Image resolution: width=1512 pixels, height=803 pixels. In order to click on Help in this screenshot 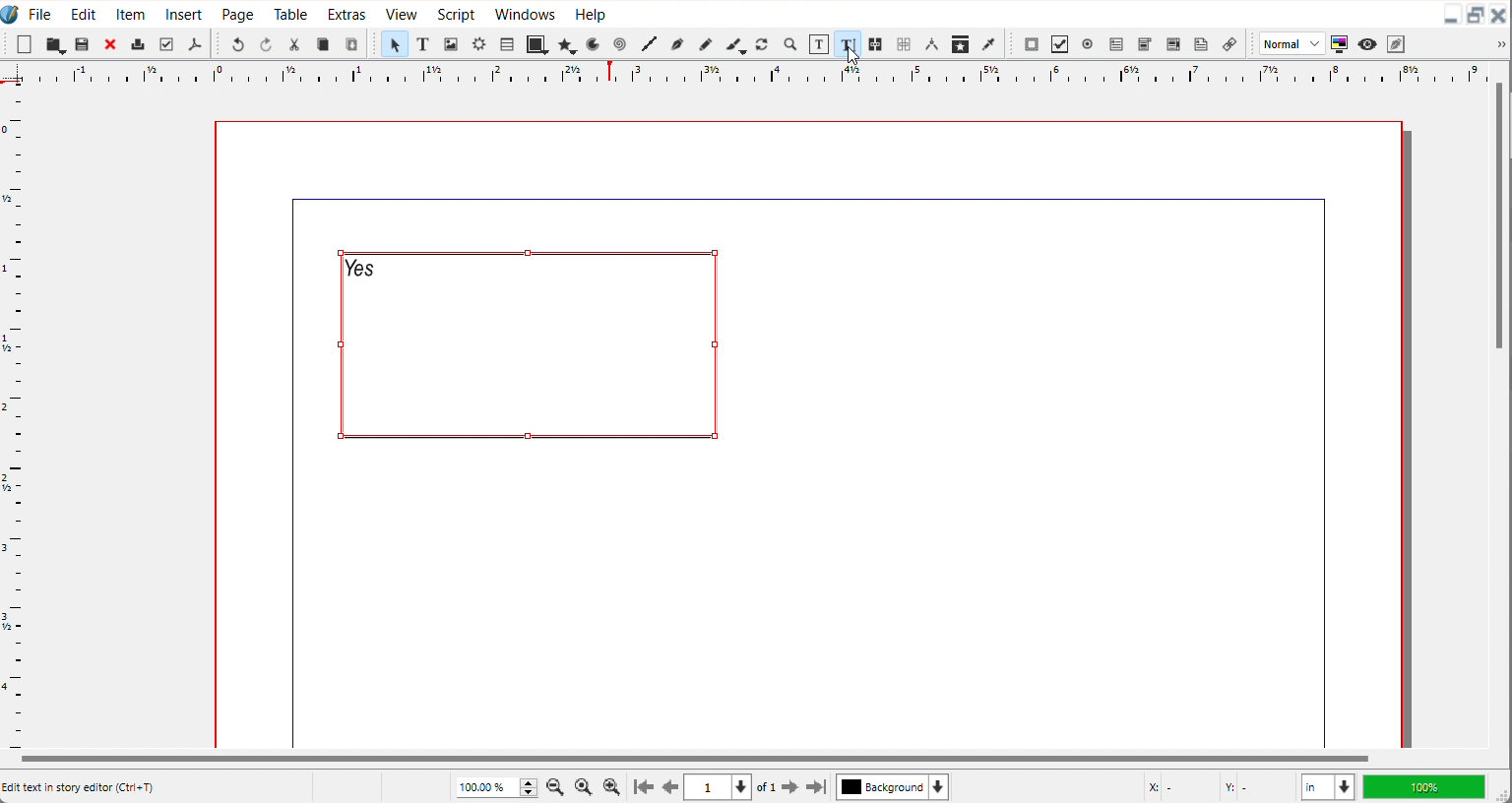, I will do `click(590, 13)`.